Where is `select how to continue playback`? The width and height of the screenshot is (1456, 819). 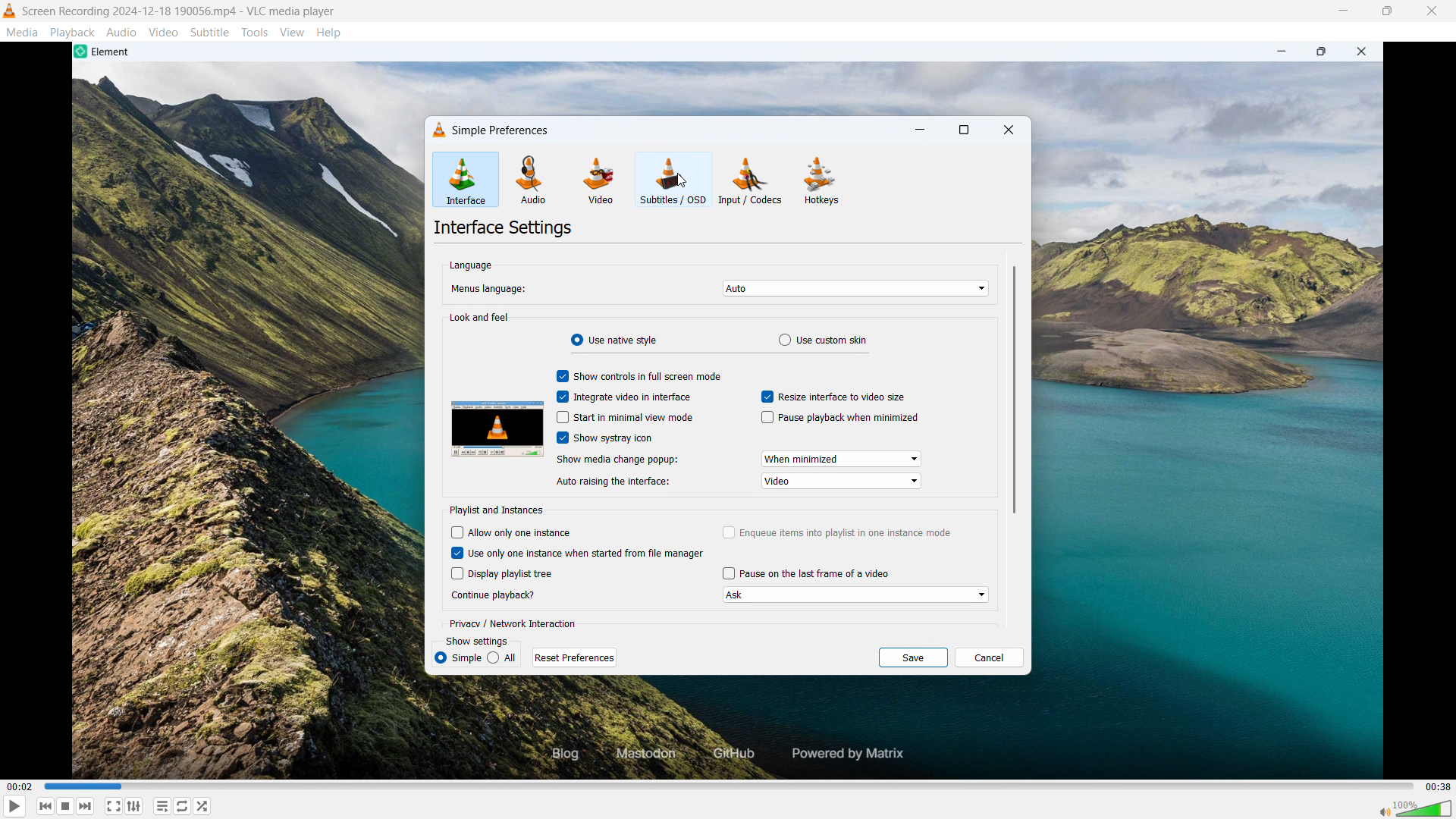
select how to continue playback is located at coordinates (854, 595).